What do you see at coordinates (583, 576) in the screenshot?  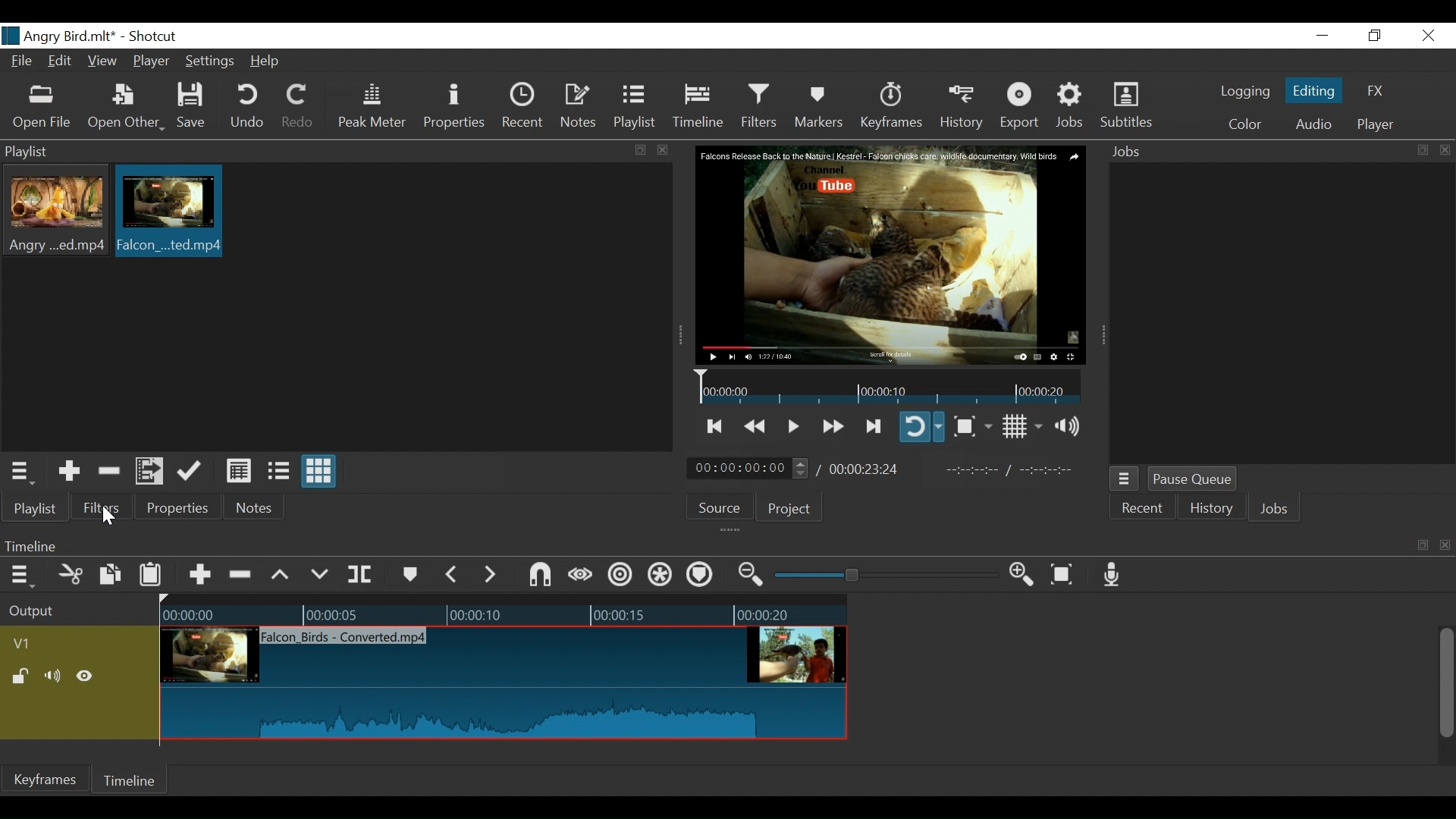 I see `Scrub while dragging` at bounding box center [583, 576].